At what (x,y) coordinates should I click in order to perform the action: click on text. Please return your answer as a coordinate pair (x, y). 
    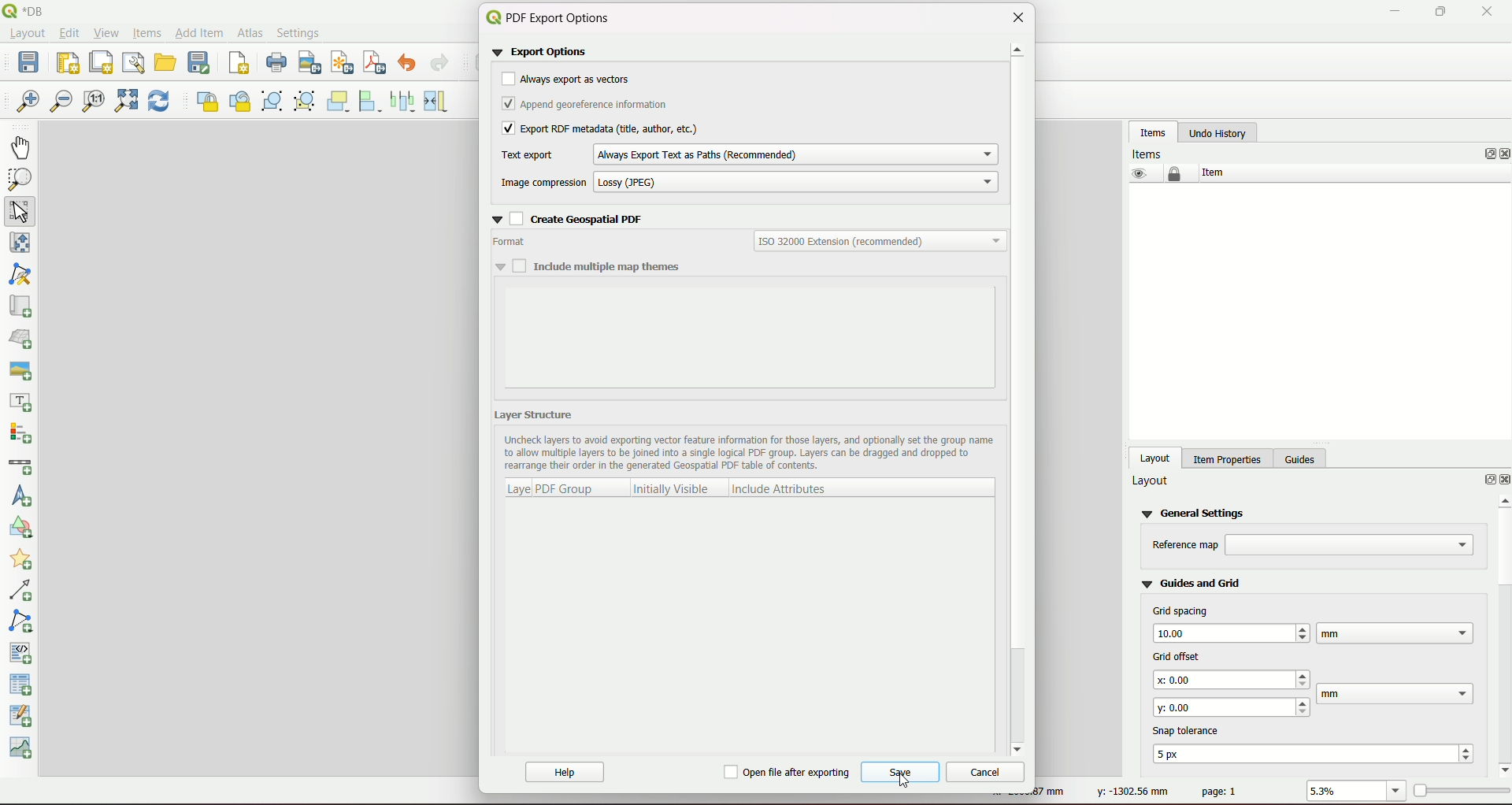
    Looking at the image, I should click on (595, 221).